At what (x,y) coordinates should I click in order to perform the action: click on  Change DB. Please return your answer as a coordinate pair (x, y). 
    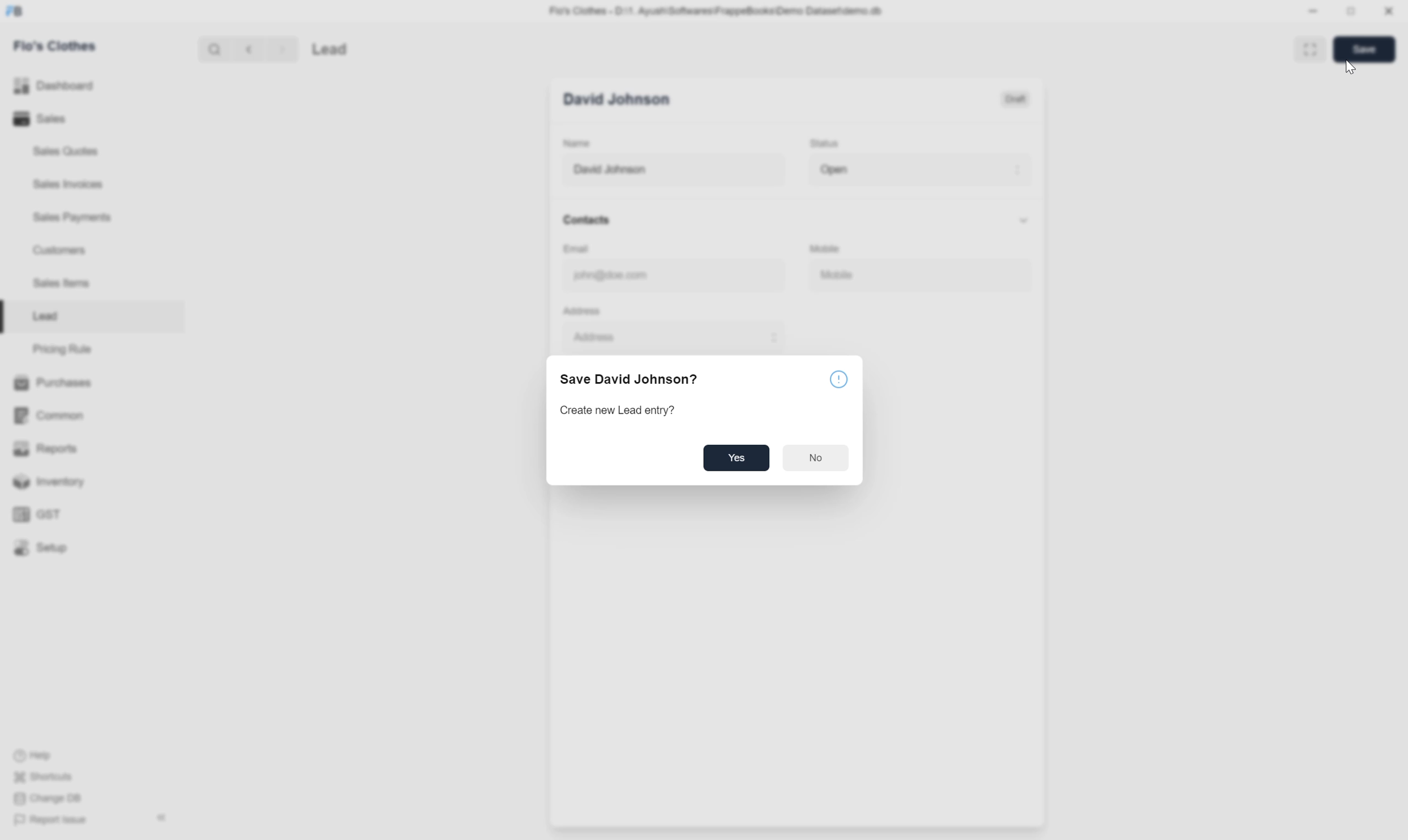
    Looking at the image, I should click on (46, 800).